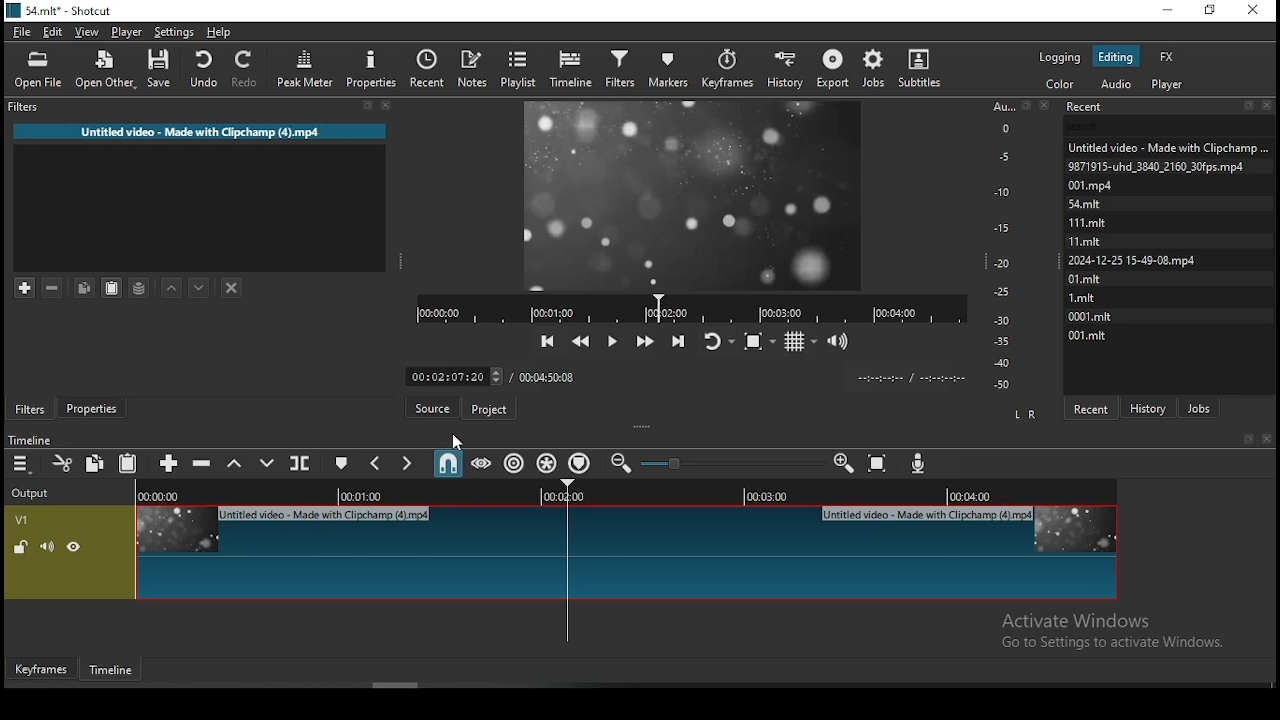  What do you see at coordinates (455, 443) in the screenshot?
I see `cursor` at bounding box center [455, 443].